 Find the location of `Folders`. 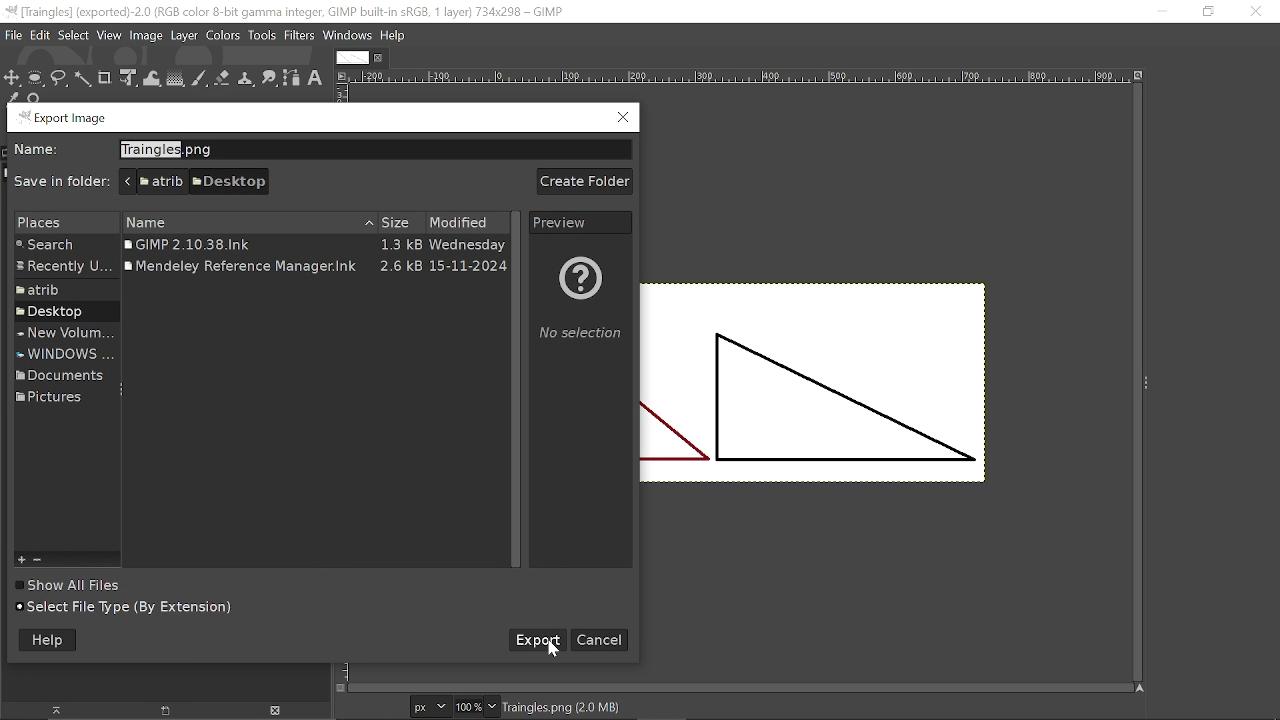

Folders is located at coordinates (63, 269).